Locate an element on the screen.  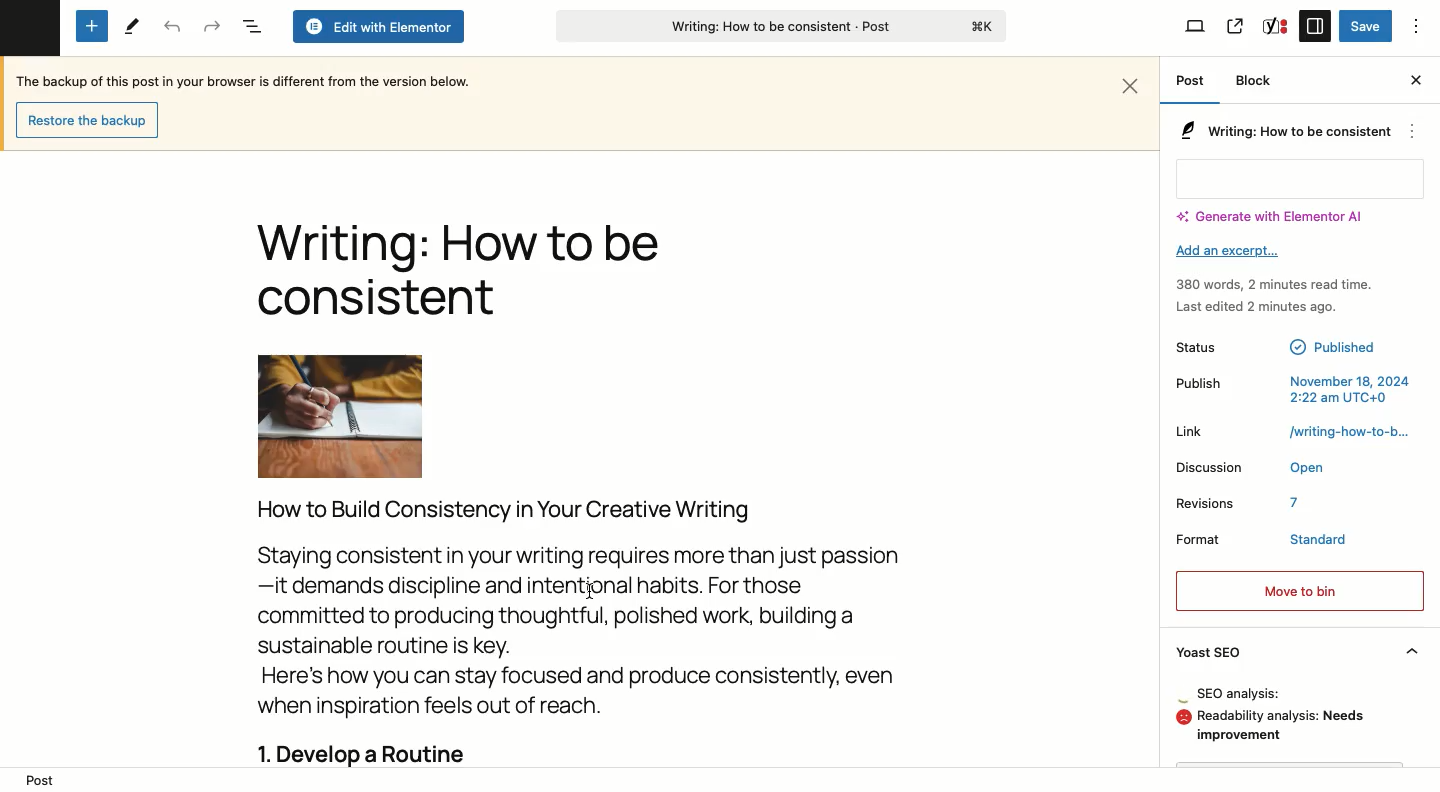
Add new block is located at coordinates (92, 26).